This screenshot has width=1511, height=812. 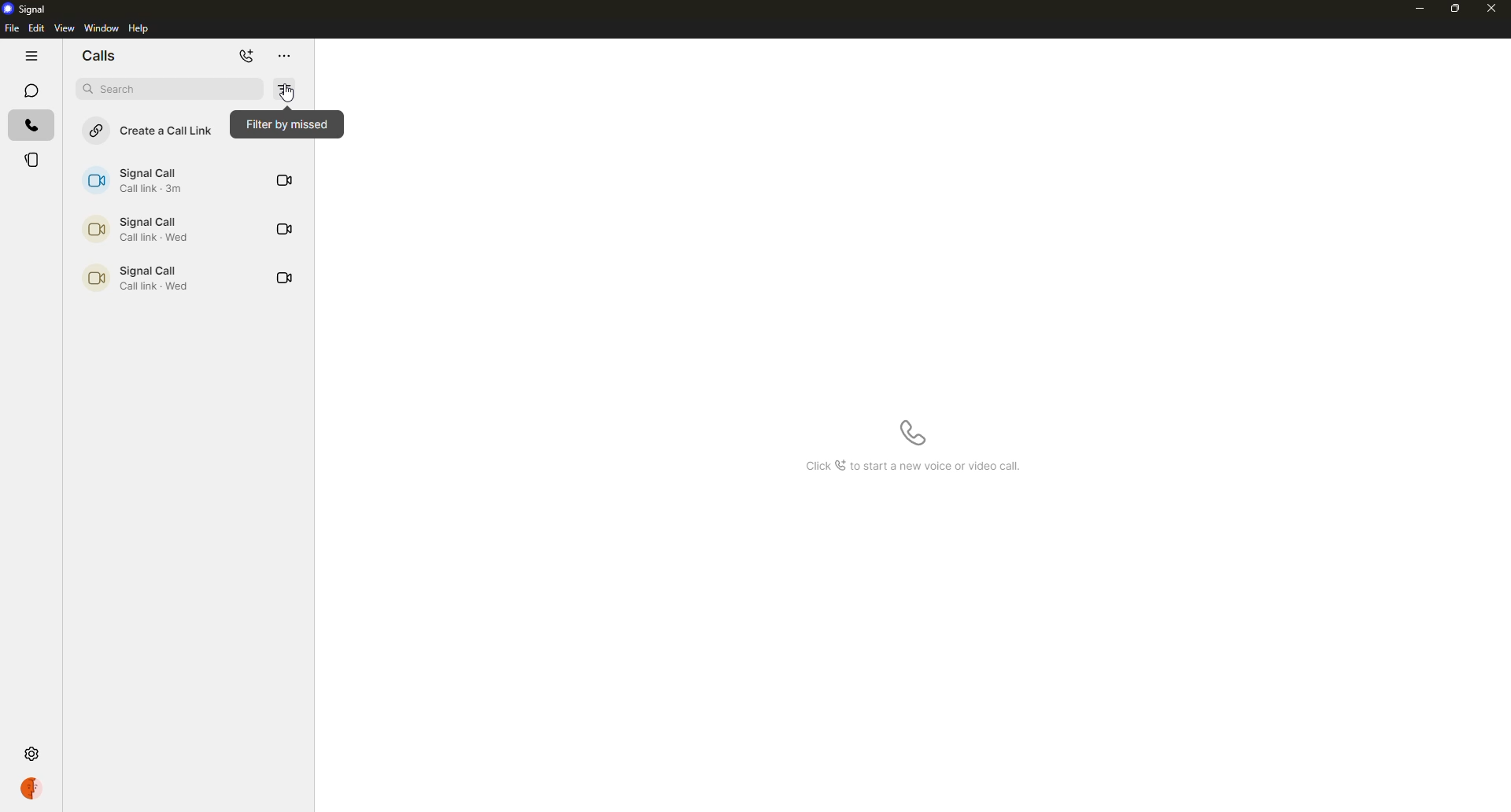 I want to click on calls, so click(x=31, y=125).